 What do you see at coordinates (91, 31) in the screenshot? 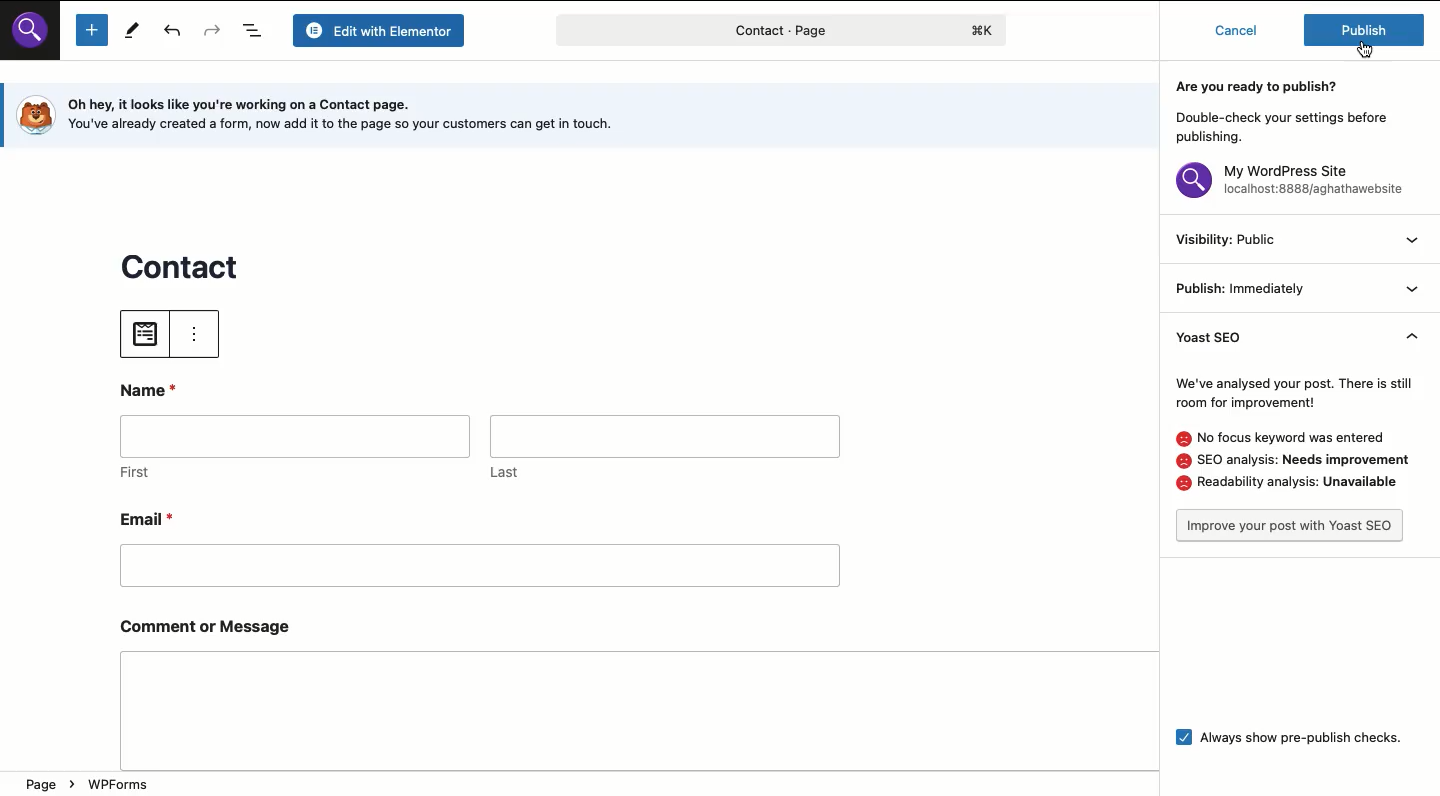
I see `Add new block` at bounding box center [91, 31].